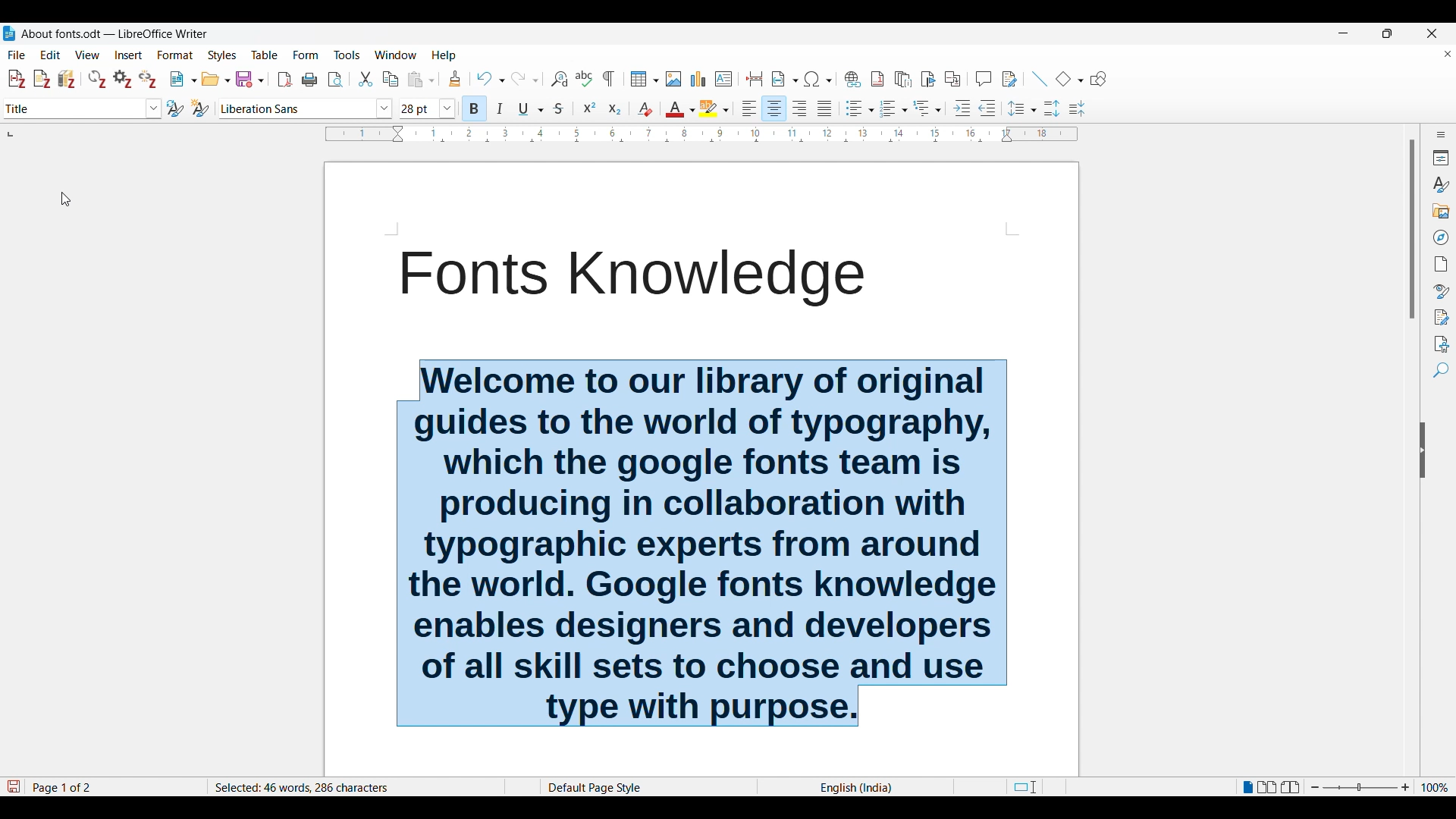 This screenshot has height=819, width=1456. I want to click on Cut, so click(366, 79).